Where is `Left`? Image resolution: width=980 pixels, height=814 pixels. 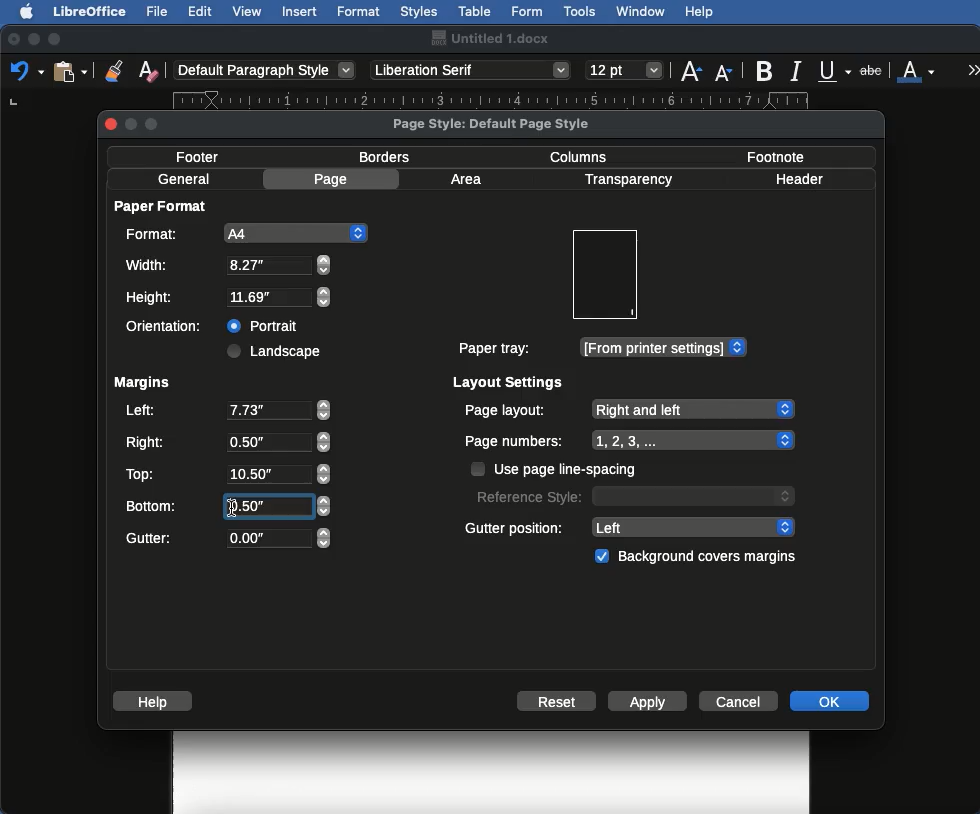 Left is located at coordinates (226, 412).